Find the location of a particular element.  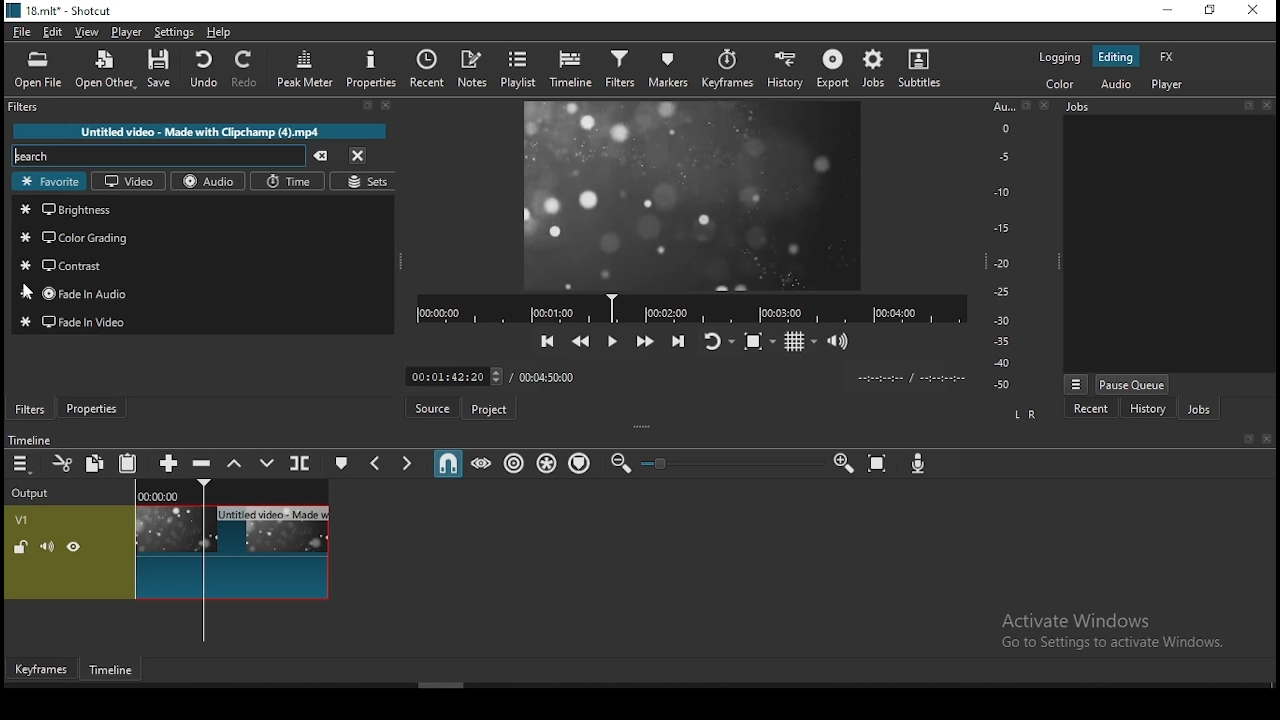

Untitled video - Made with Clipchamp (4).mp4 is located at coordinates (200, 131).